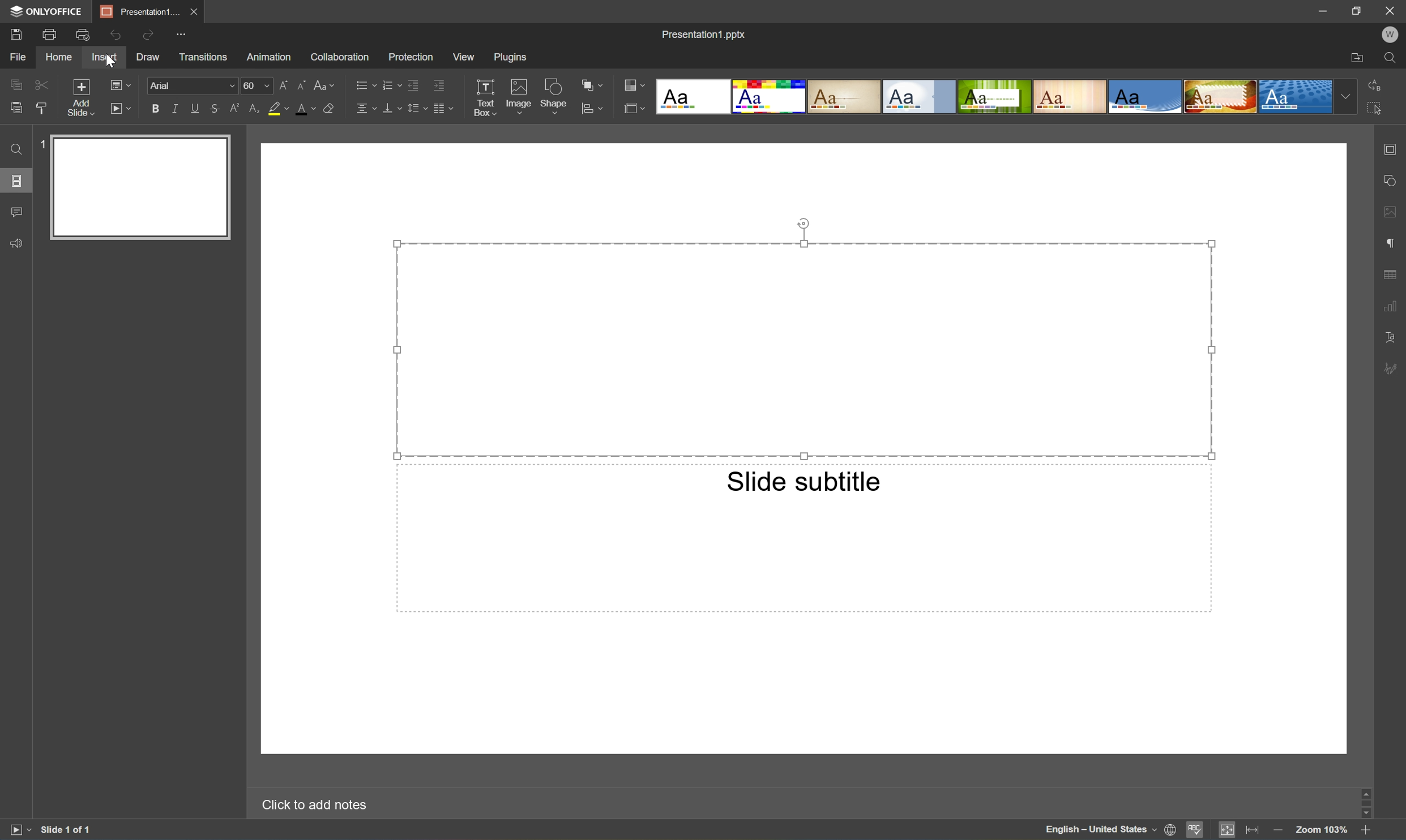 Image resolution: width=1406 pixels, height=840 pixels. What do you see at coordinates (306, 108) in the screenshot?
I see `Font color` at bounding box center [306, 108].